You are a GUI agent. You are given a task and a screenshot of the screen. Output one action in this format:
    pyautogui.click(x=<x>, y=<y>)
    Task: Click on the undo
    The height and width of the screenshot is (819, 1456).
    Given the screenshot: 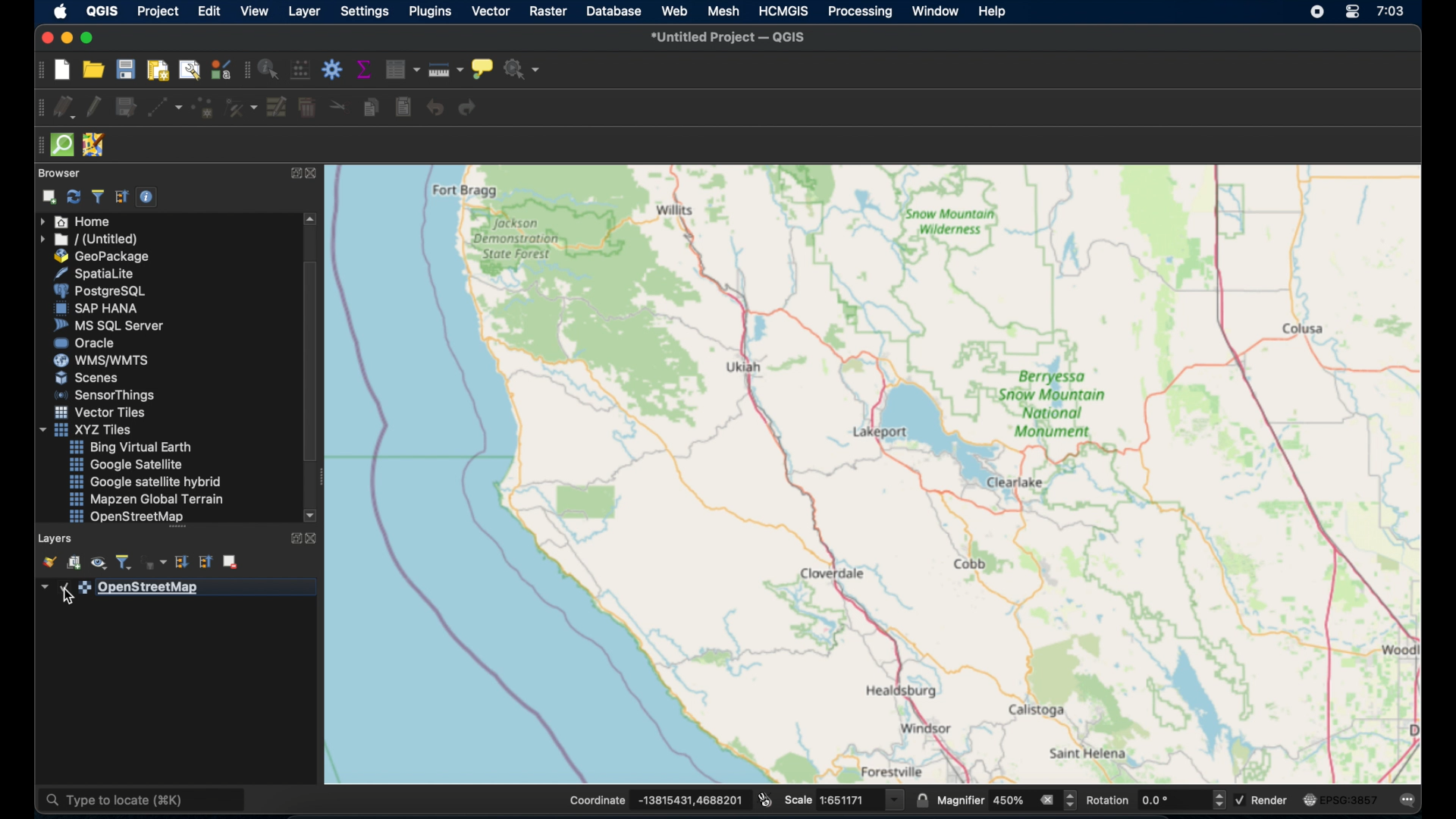 What is the action you would take?
    pyautogui.click(x=435, y=108)
    